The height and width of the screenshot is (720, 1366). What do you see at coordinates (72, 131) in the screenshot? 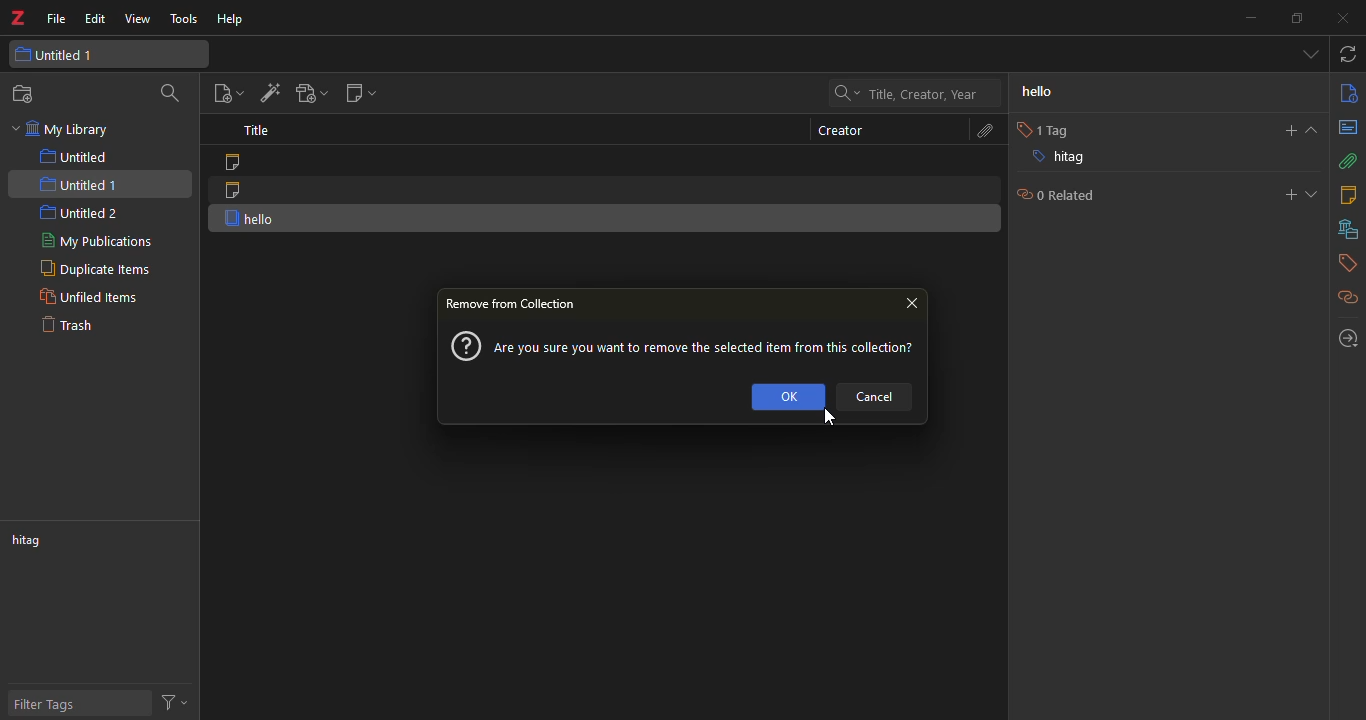
I see `my library` at bounding box center [72, 131].